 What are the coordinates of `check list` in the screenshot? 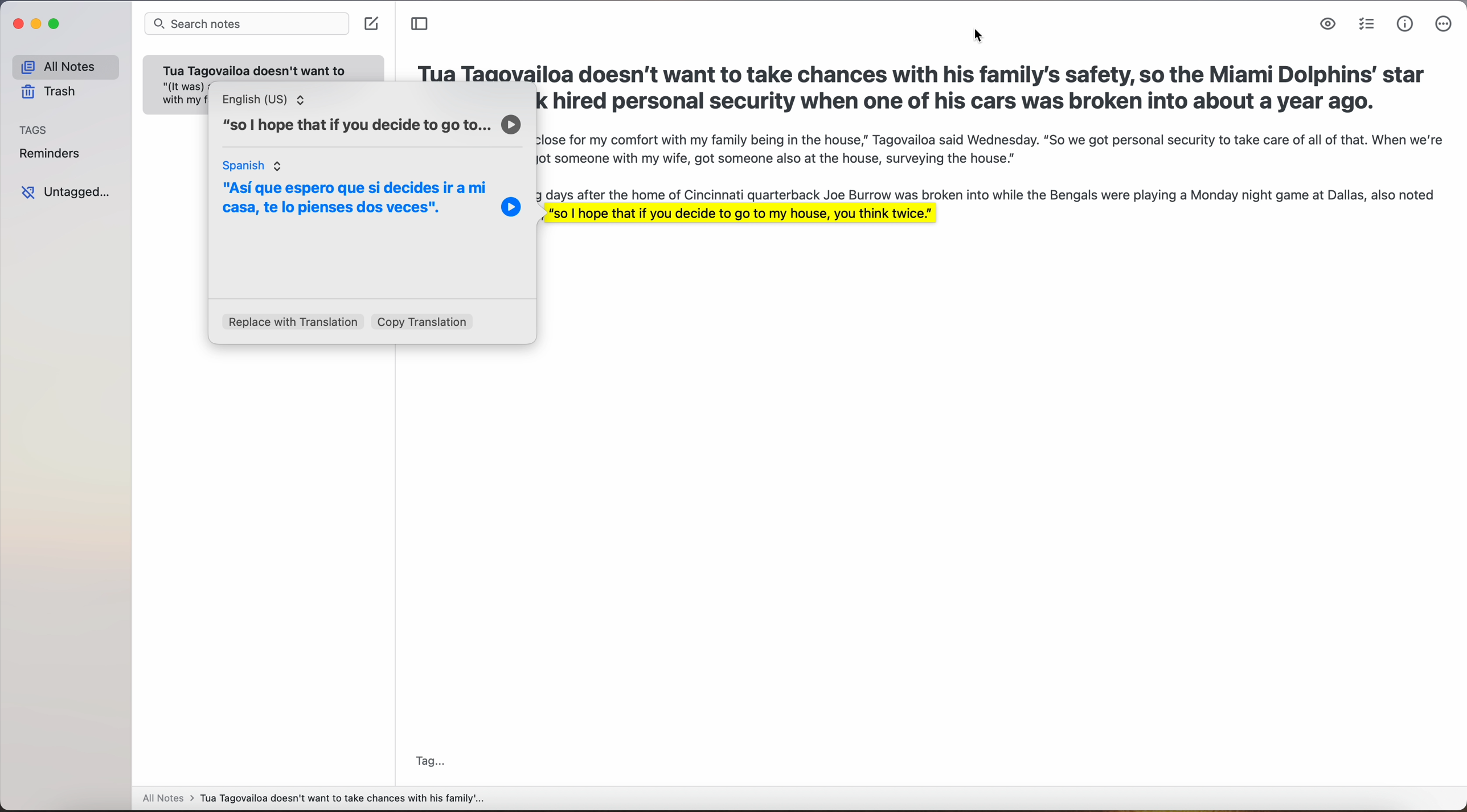 It's located at (1367, 26).